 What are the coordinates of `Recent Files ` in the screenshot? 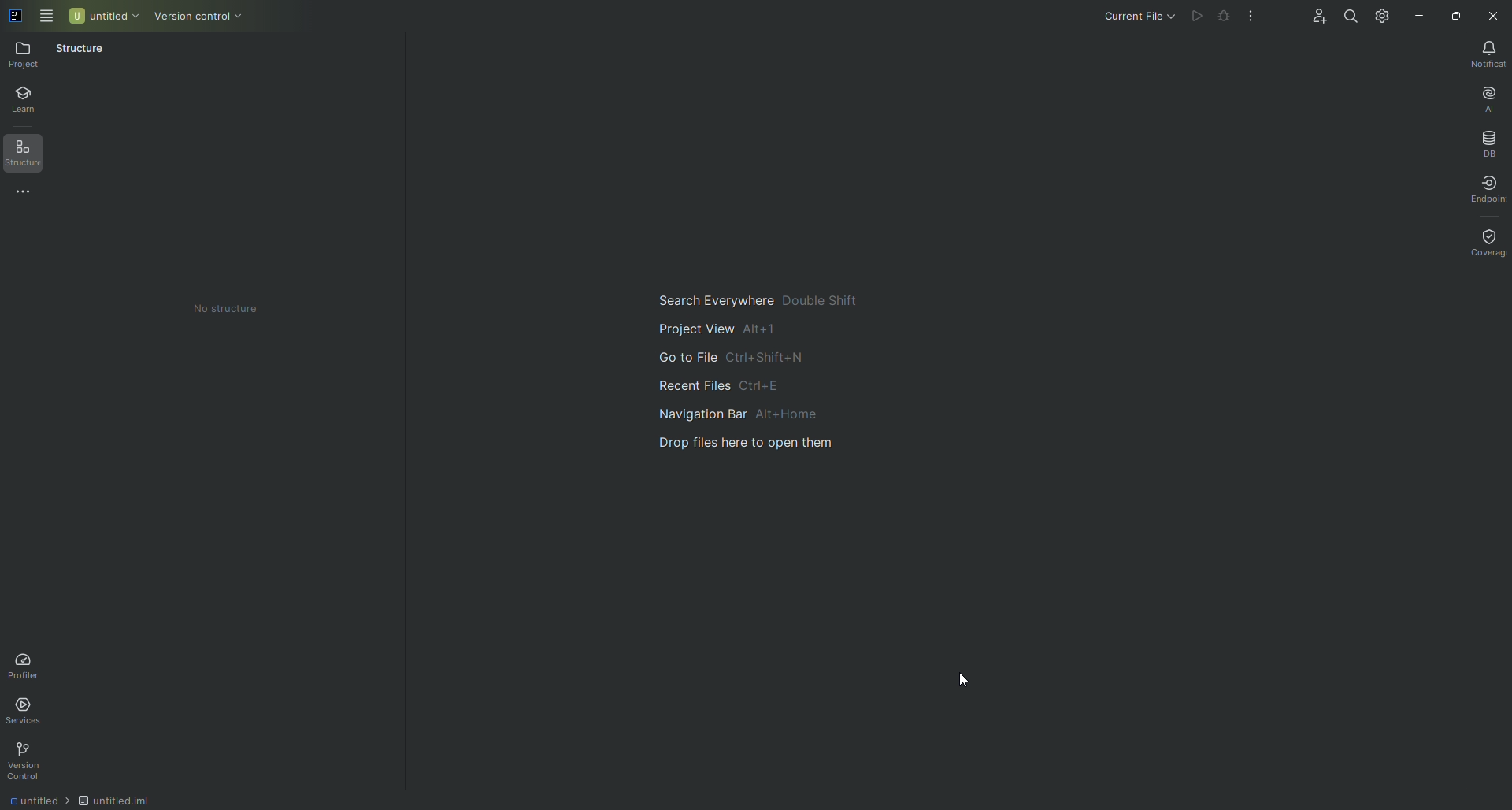 It's located at (714, 384).